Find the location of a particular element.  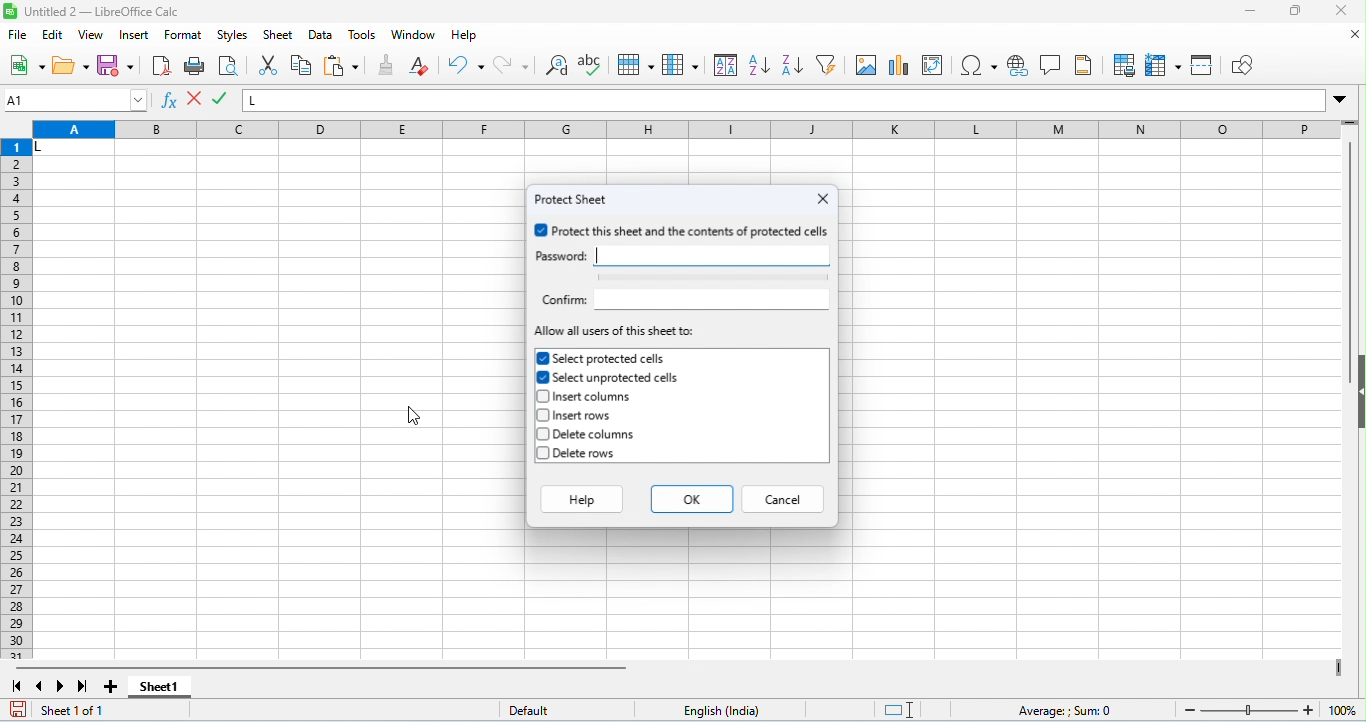

sheet 1 of 1 is located at coordinates (78, 711).